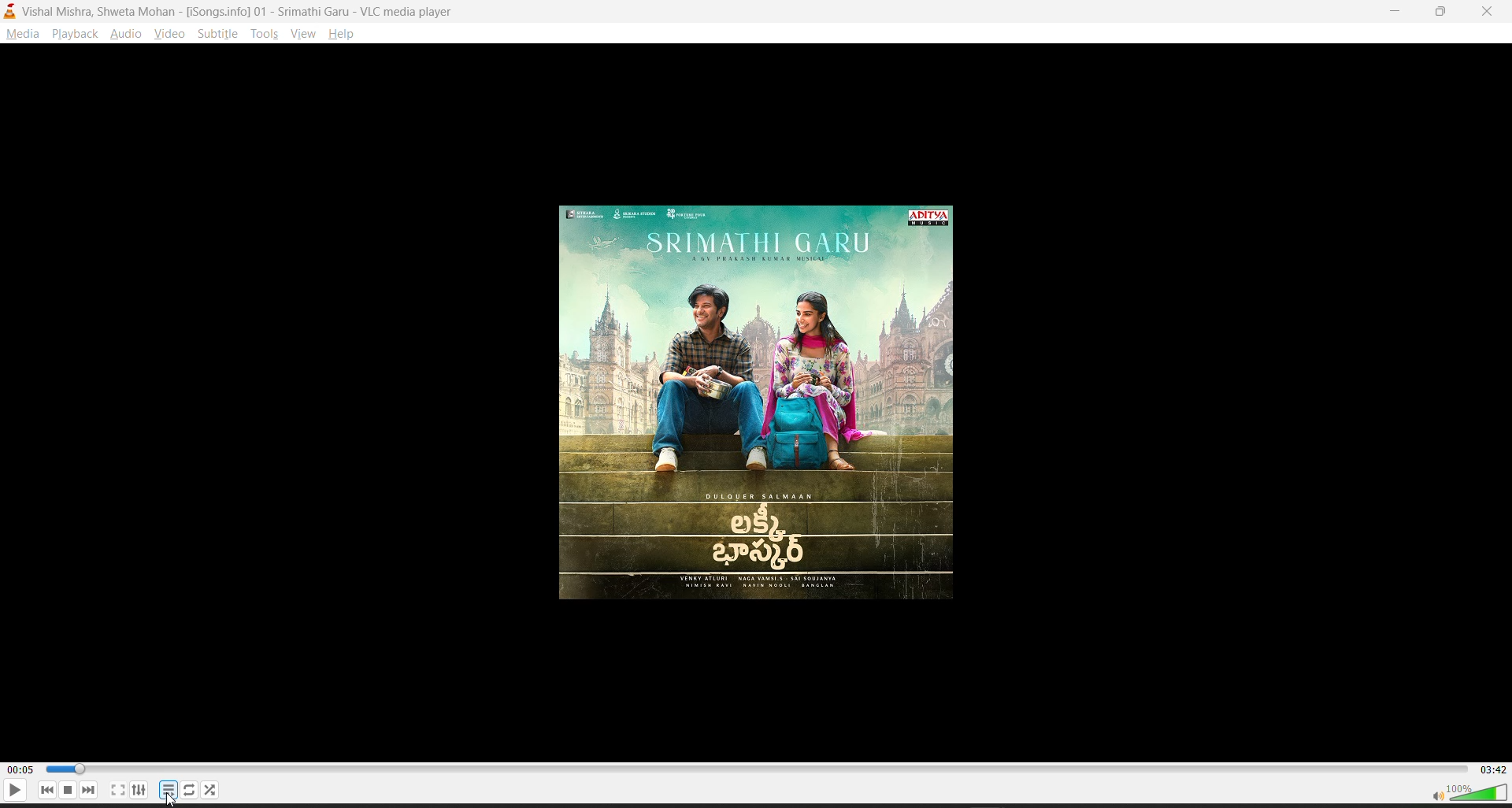 The height and width of the screenshot is (808, 1512). I want to click on previous, so click(47, 790).